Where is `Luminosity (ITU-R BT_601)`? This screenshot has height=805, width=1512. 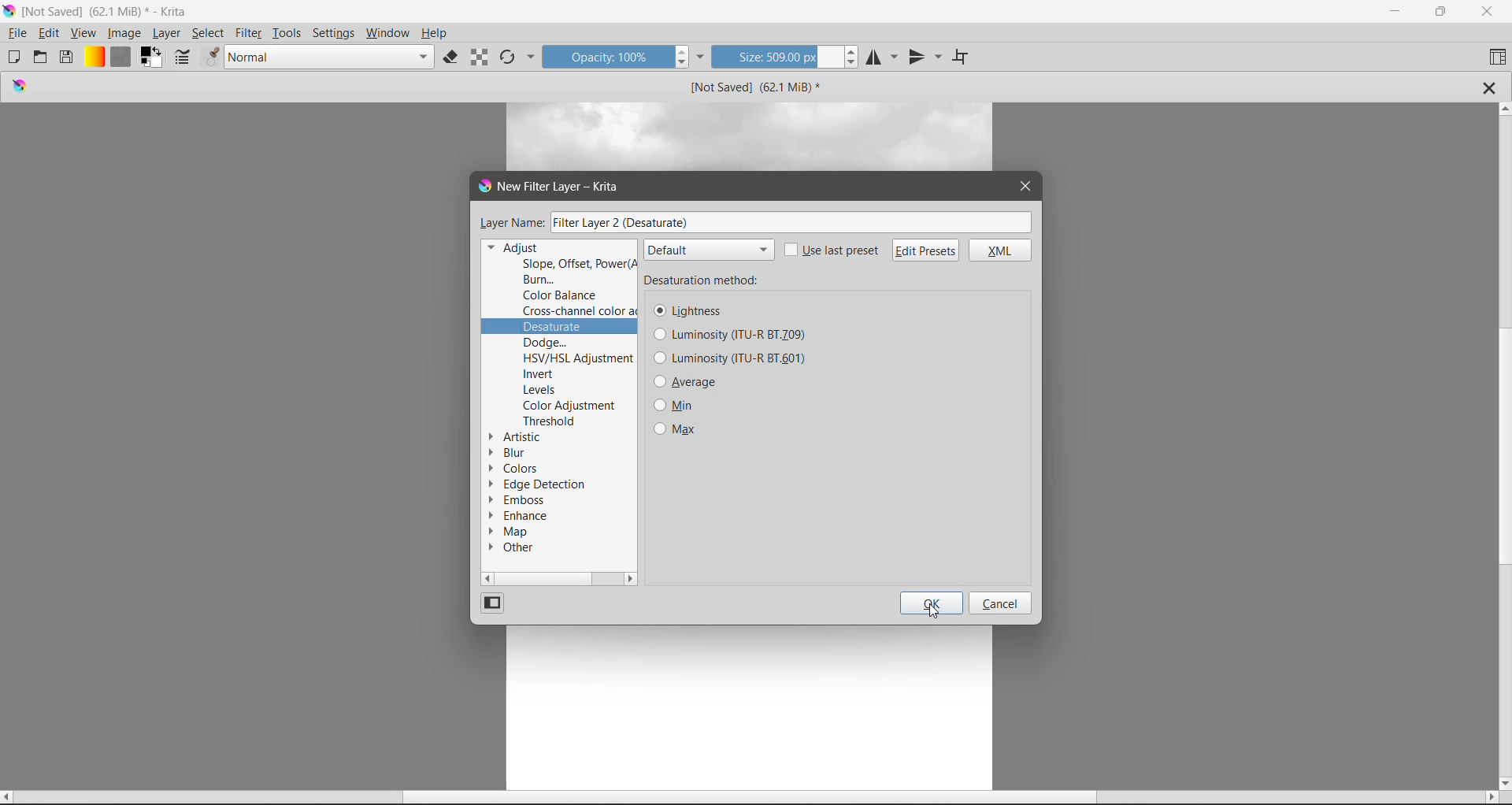 Luminosity (ITU-R BT_601) is located at coordinates (732, 358).